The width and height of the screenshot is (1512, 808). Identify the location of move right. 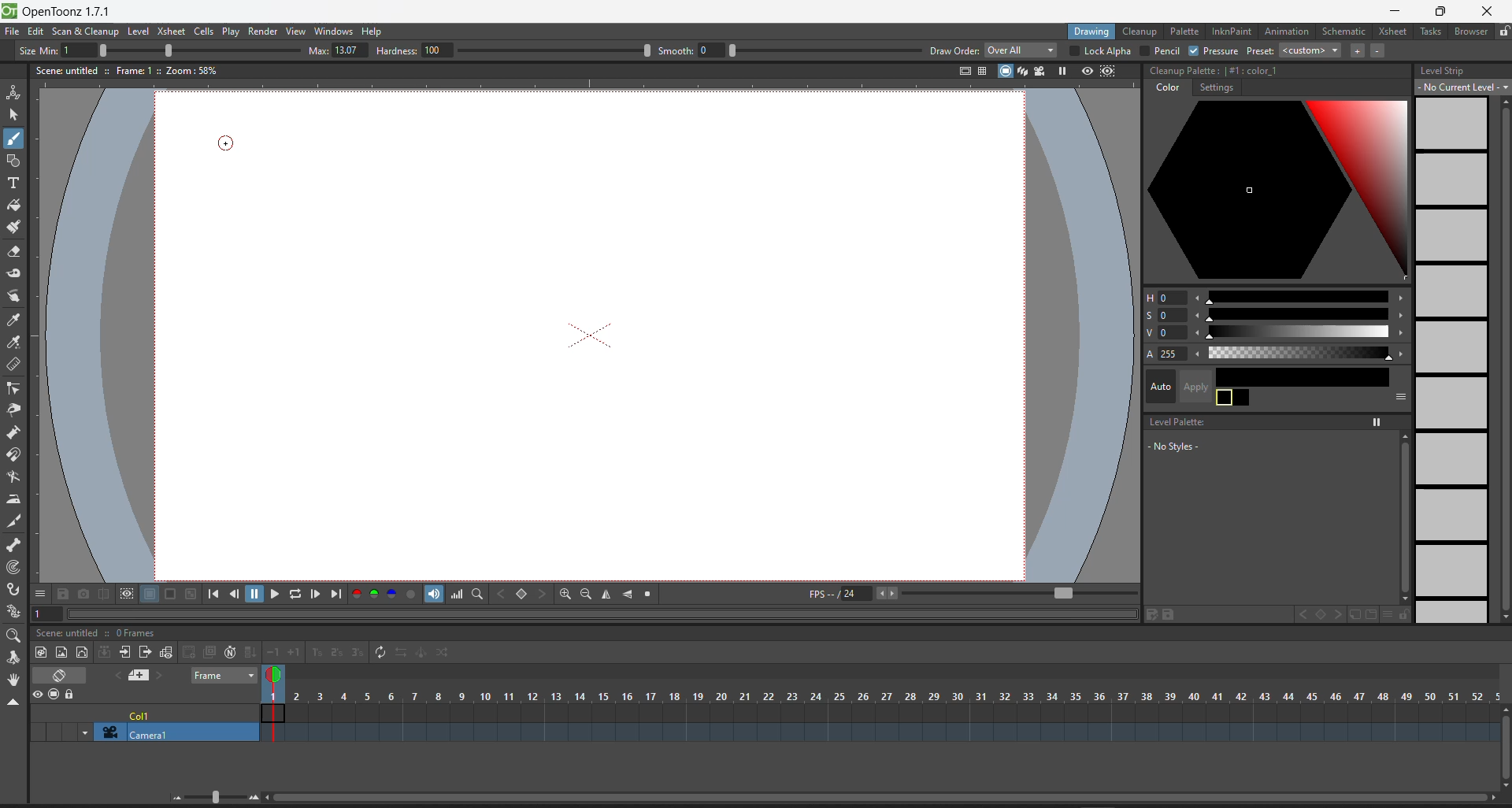
(1400, 352).